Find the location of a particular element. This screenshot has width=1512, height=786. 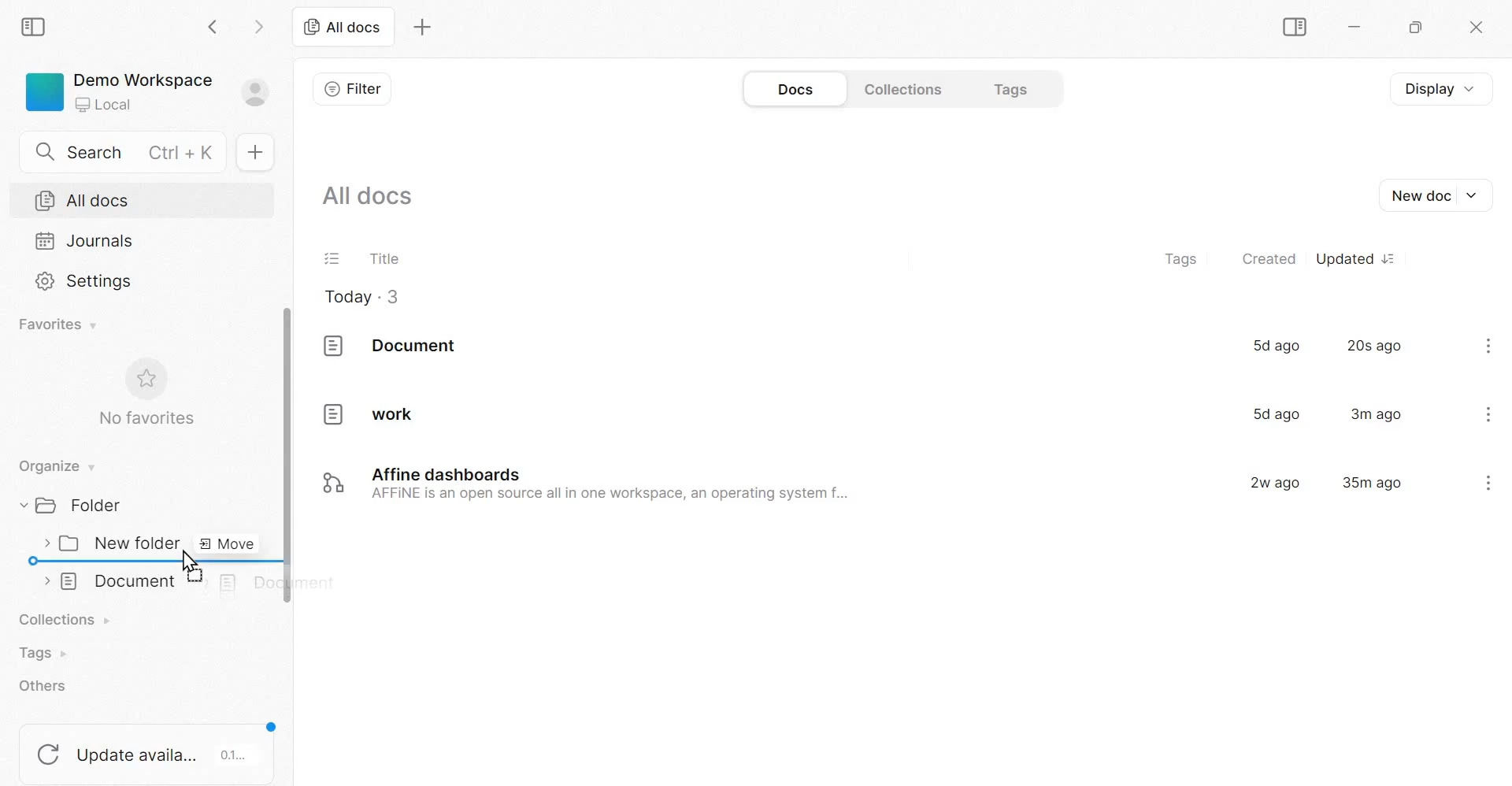

5d ago is located at coordinates (1277, 344).